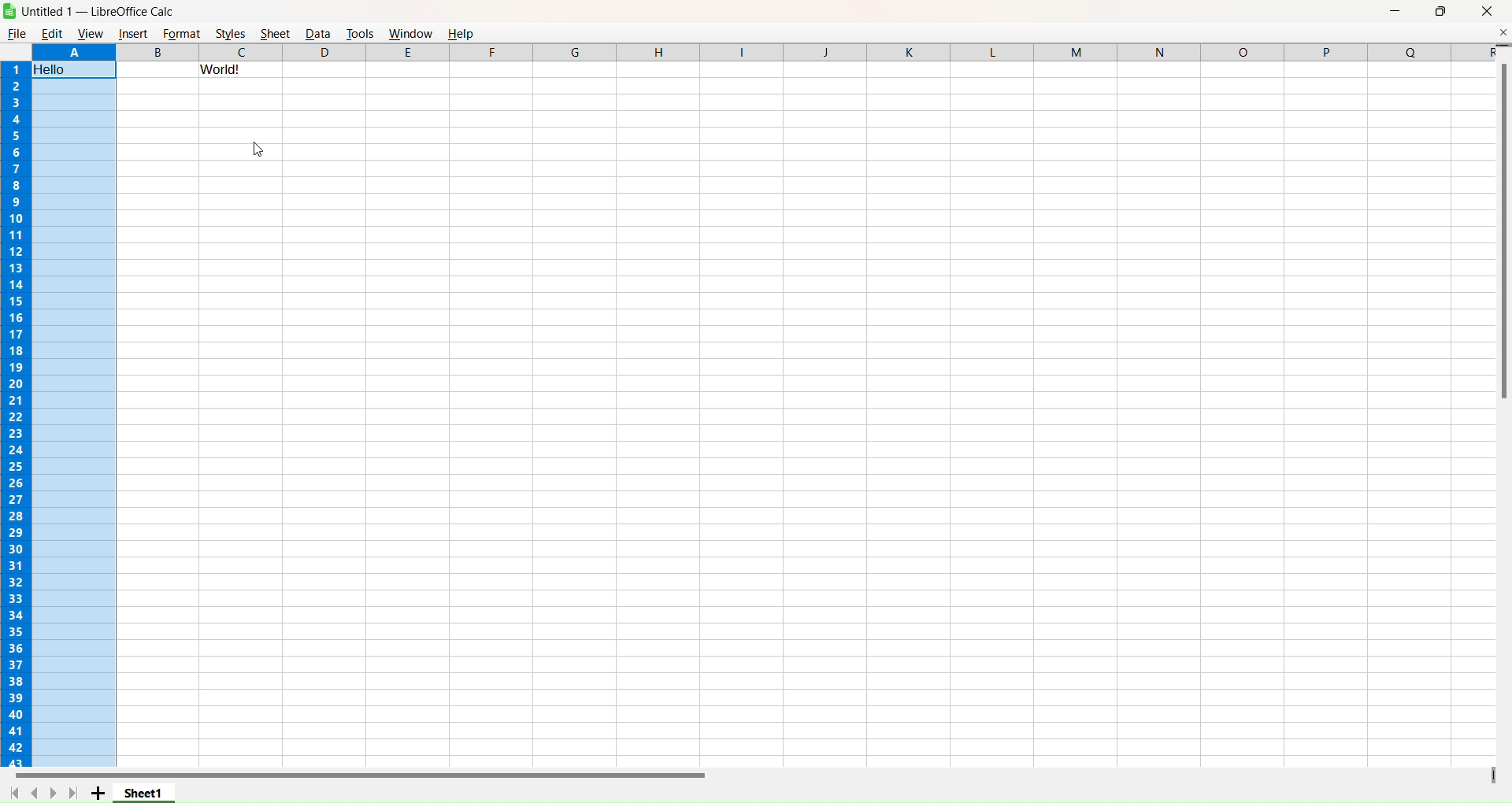  Describe the element at coordinates (1502, 224) in the screenshot. I see `Vertical Scroll bar` at that location.